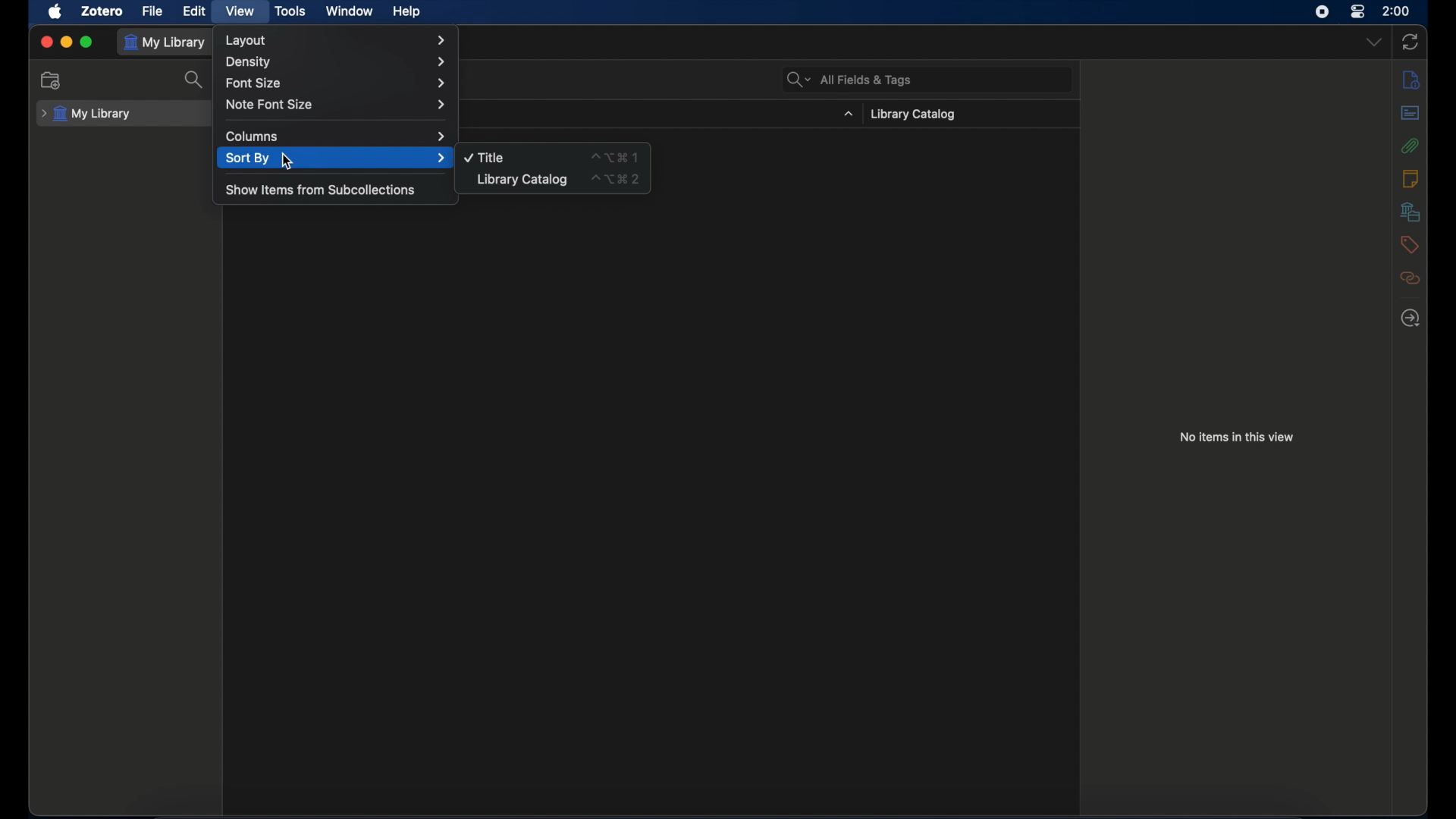 This screenshot has height=819, width=1456. I want to click on layout, so click(335, 39).